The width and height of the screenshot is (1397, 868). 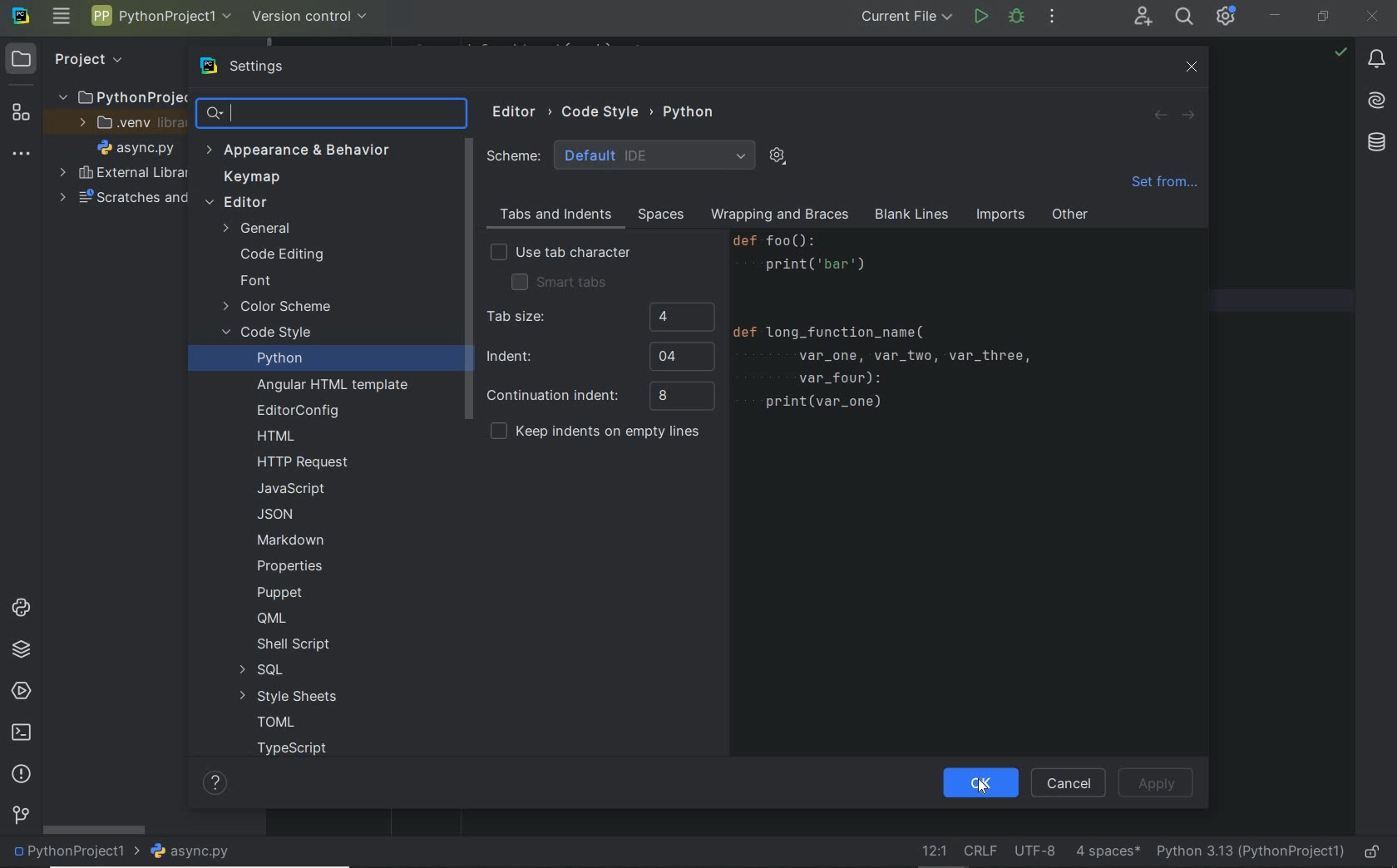 I want to click on more tool windows, so click(x=21, y=155).